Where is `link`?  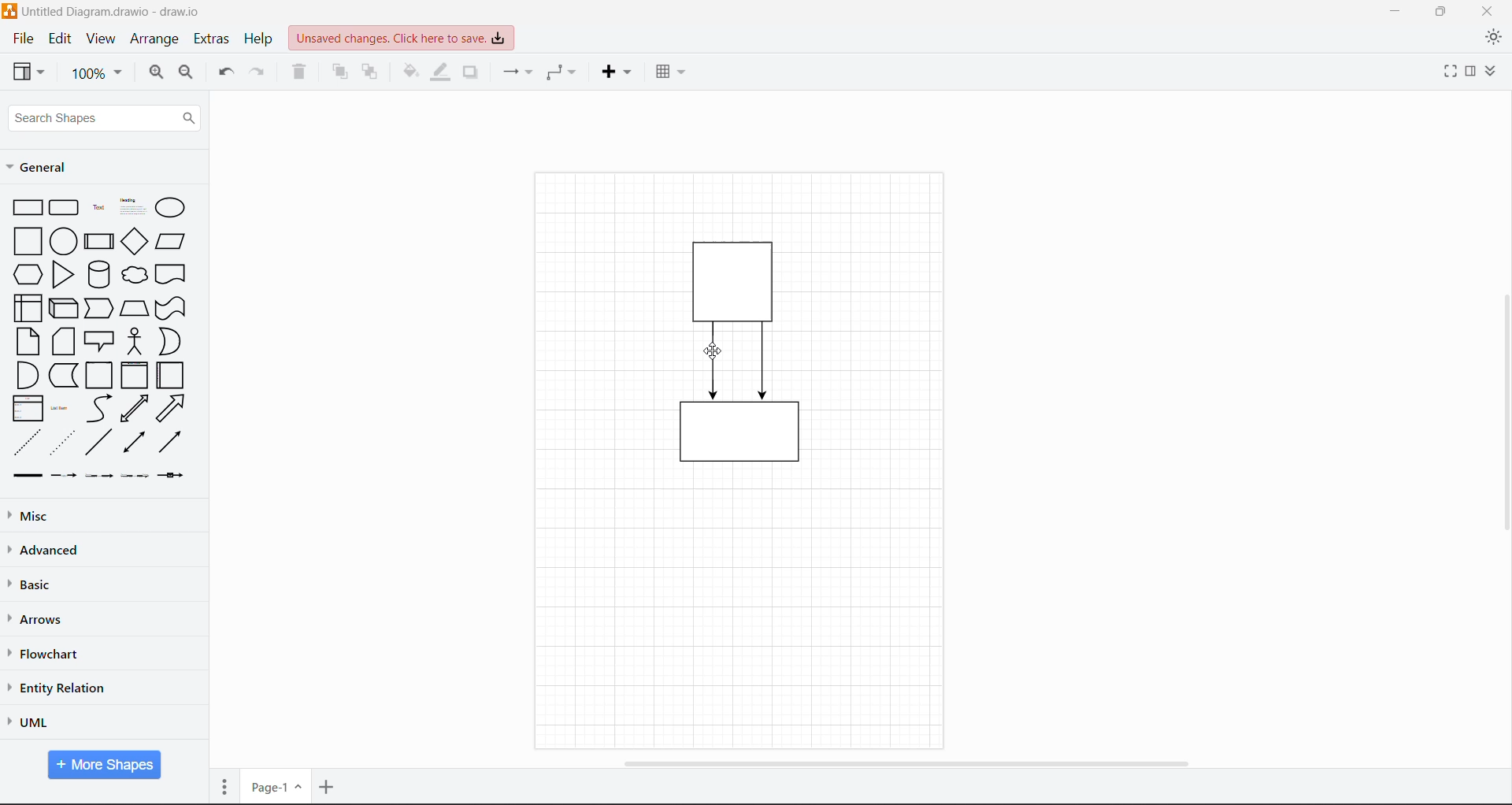 link is located at coordinates (24, 476).